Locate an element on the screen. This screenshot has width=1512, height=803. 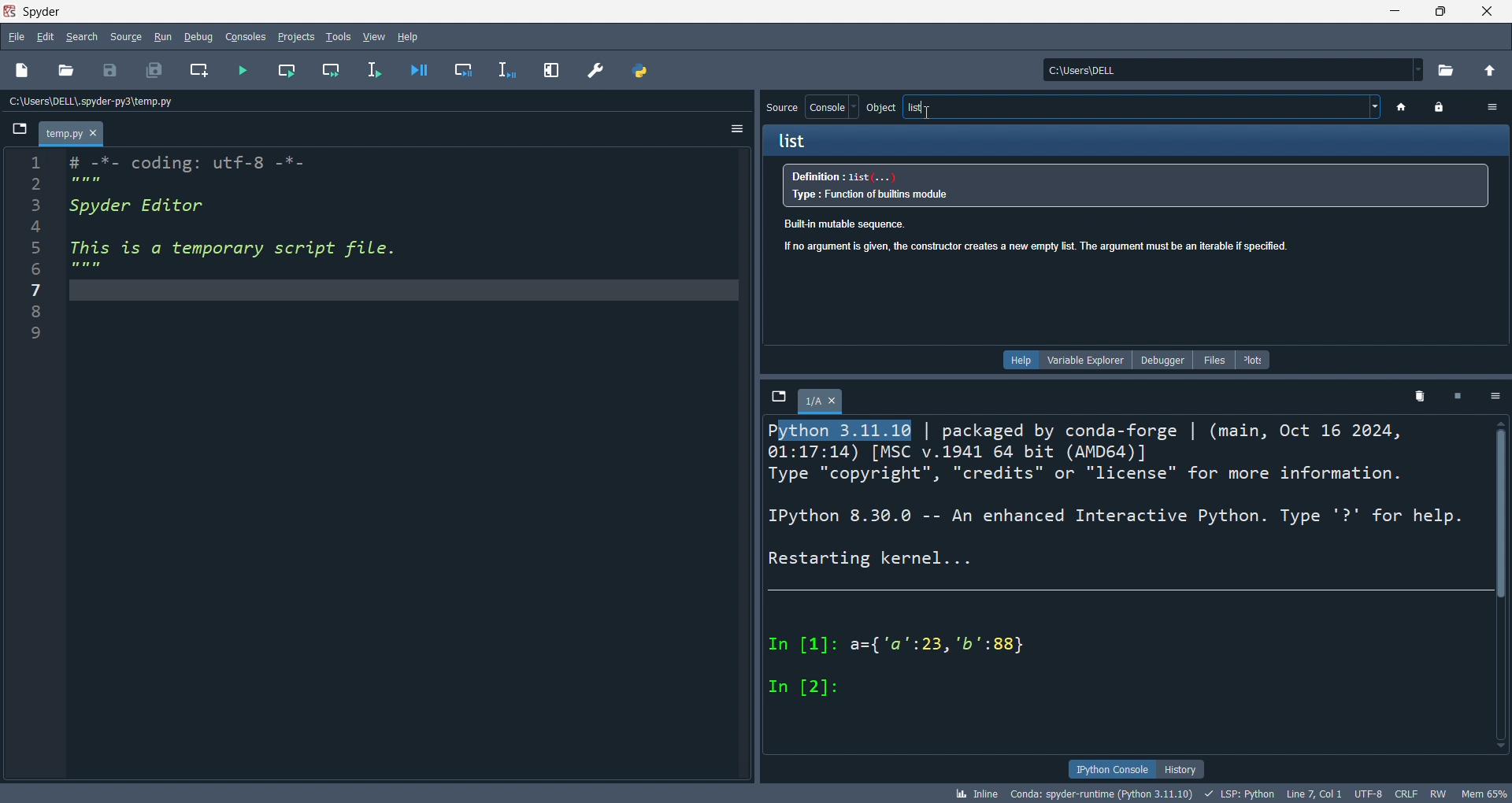
close is located at coordinates (1488, 11).